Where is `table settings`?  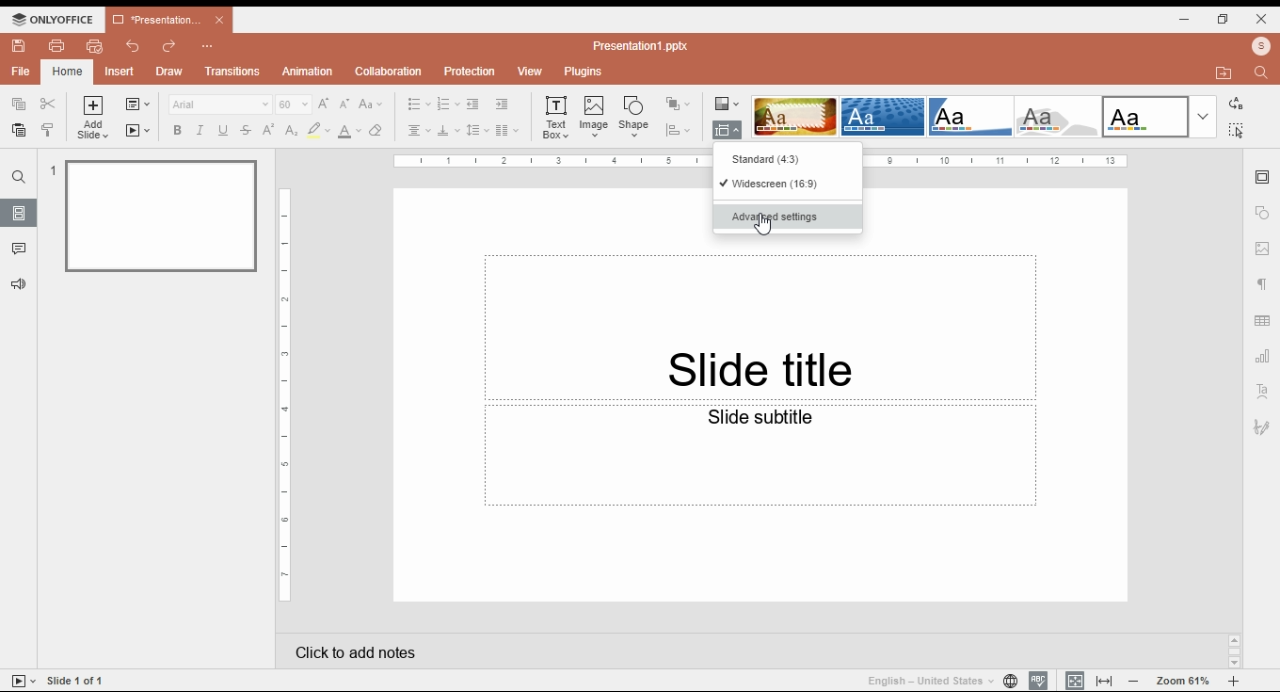
table settings is located at coordinates (1264, 323).